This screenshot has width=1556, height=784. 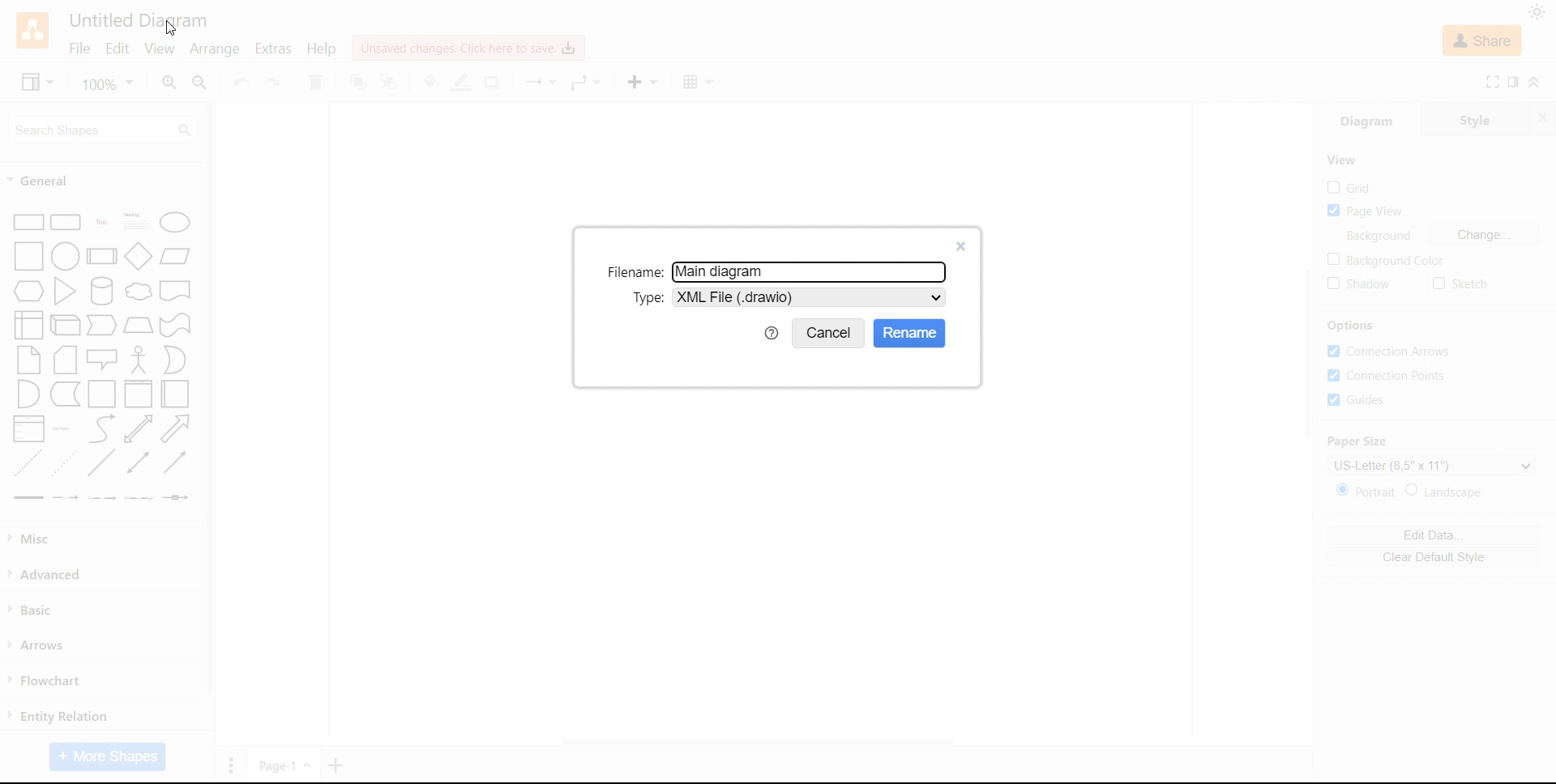 What do you see at coordinates (103, 357) in the screenshot?
I see `Shapes library ` at bounding box center [103, 357].